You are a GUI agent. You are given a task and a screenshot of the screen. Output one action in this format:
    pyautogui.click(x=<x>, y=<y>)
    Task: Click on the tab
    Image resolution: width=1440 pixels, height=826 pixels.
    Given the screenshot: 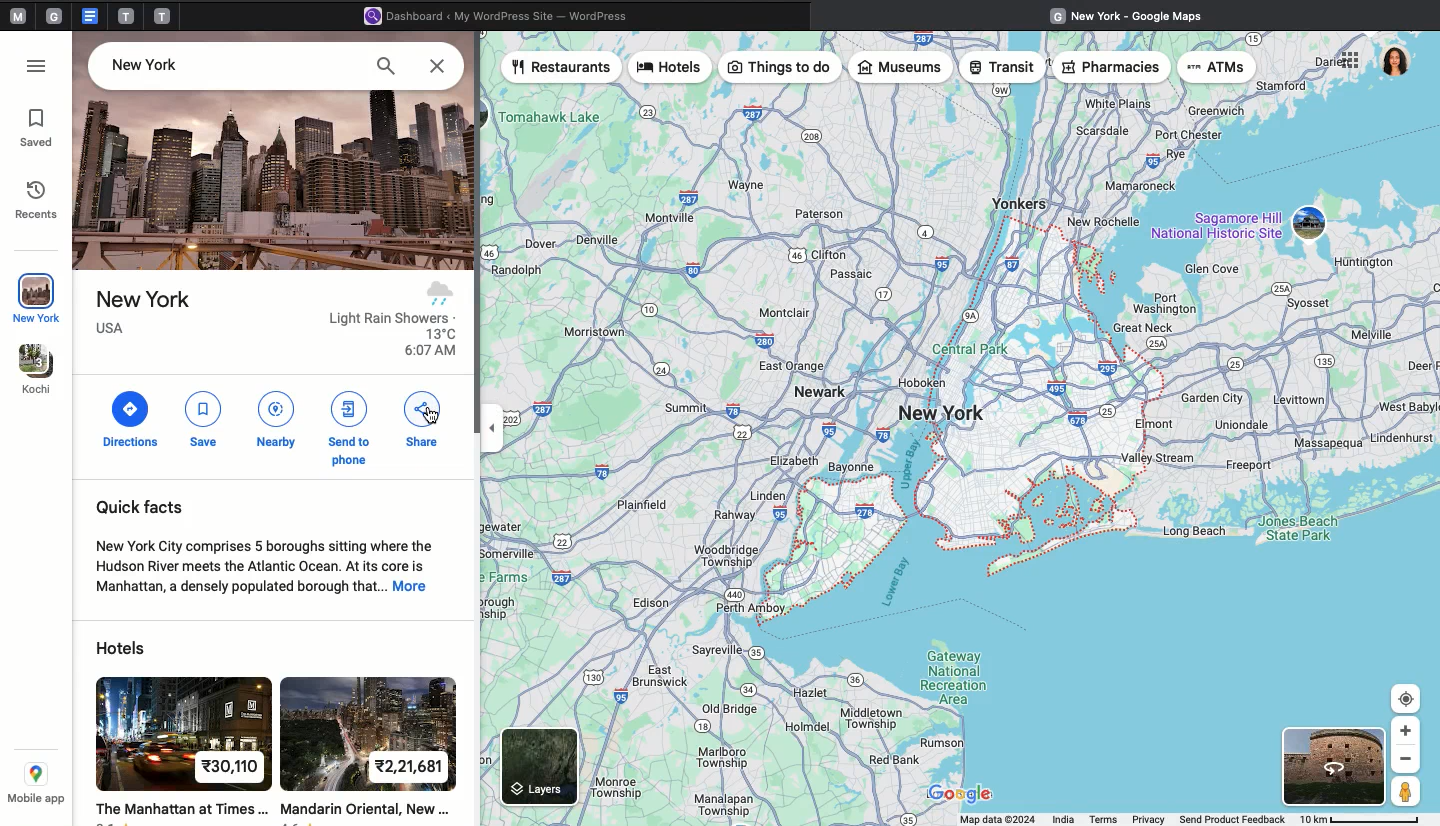 What is the action you would take?
    pyautogui.click(x=126, y=16)
    